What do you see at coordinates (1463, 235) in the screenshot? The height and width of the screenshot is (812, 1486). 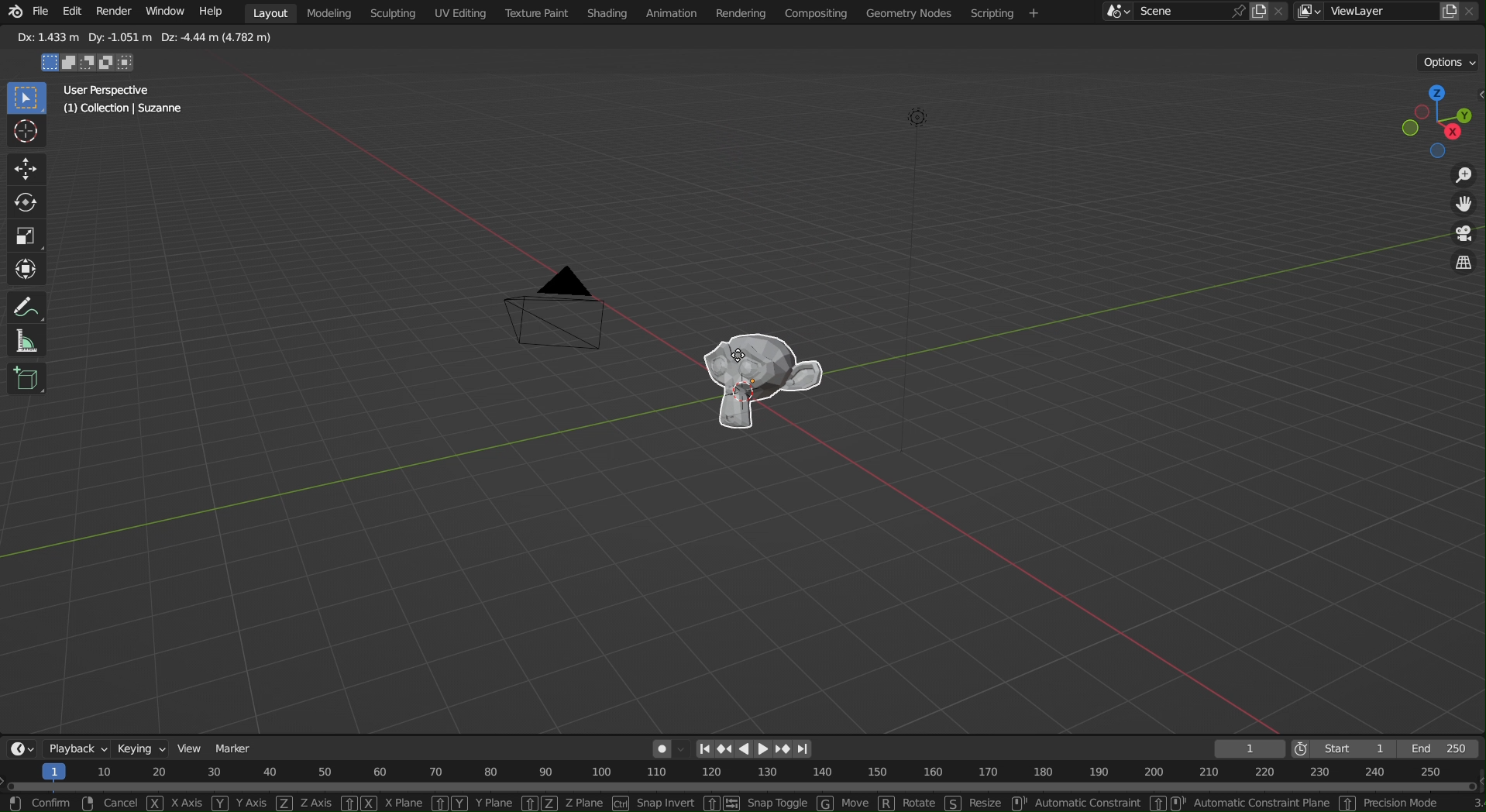 I see `Camera view` at bounding box center [1463, 235].